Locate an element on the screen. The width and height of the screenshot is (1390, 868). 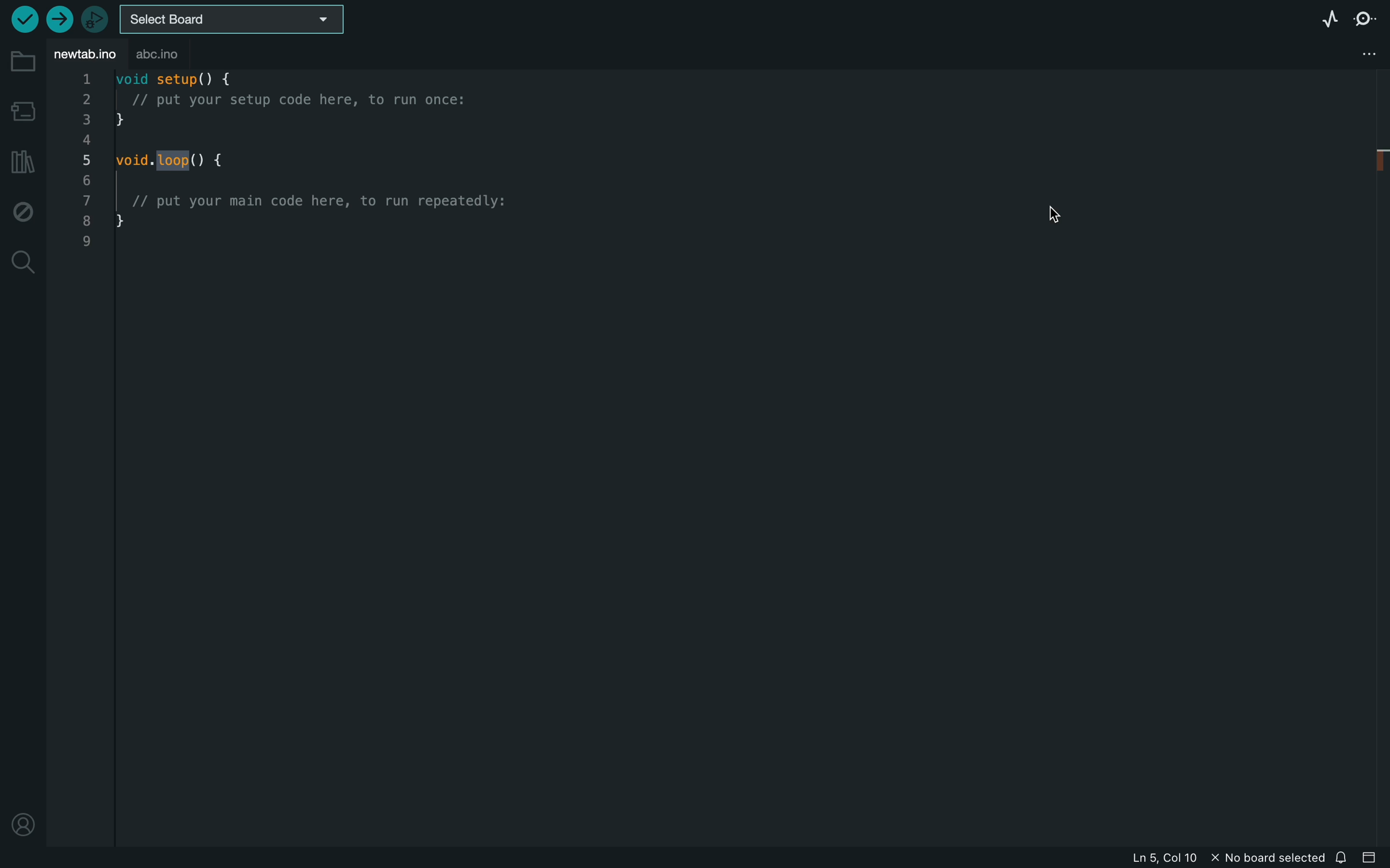
cursor is located at coordinates (1054, 211).